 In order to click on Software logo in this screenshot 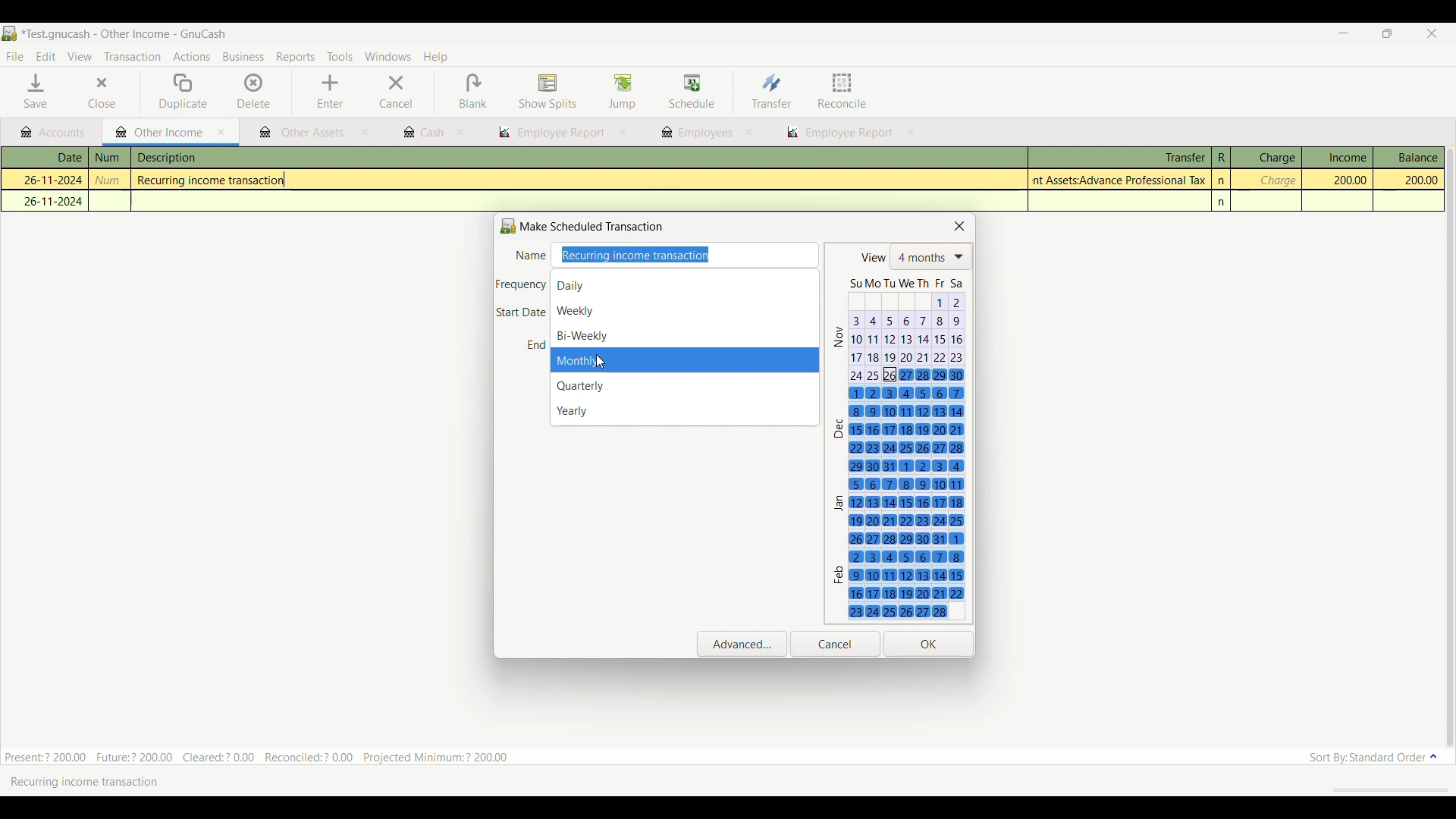, I will do `click(10, 33)`.